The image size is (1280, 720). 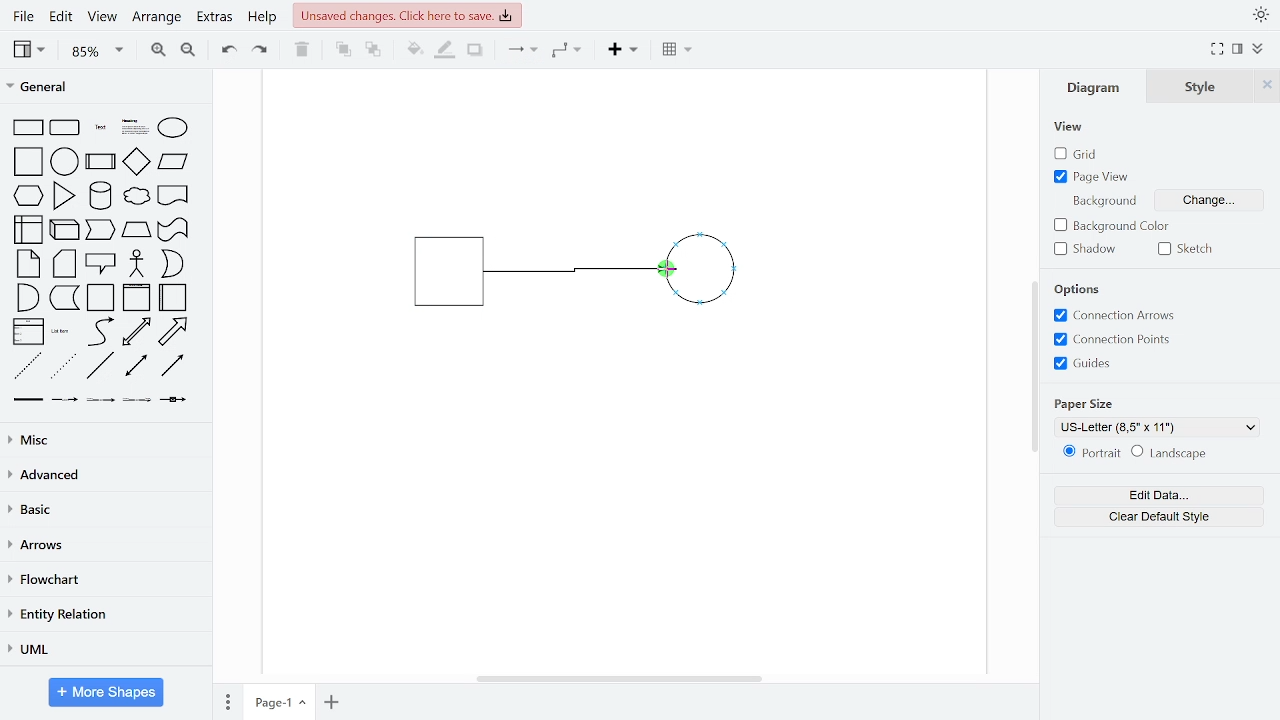 I want to click on current diagram, so click(x=594, y=272).